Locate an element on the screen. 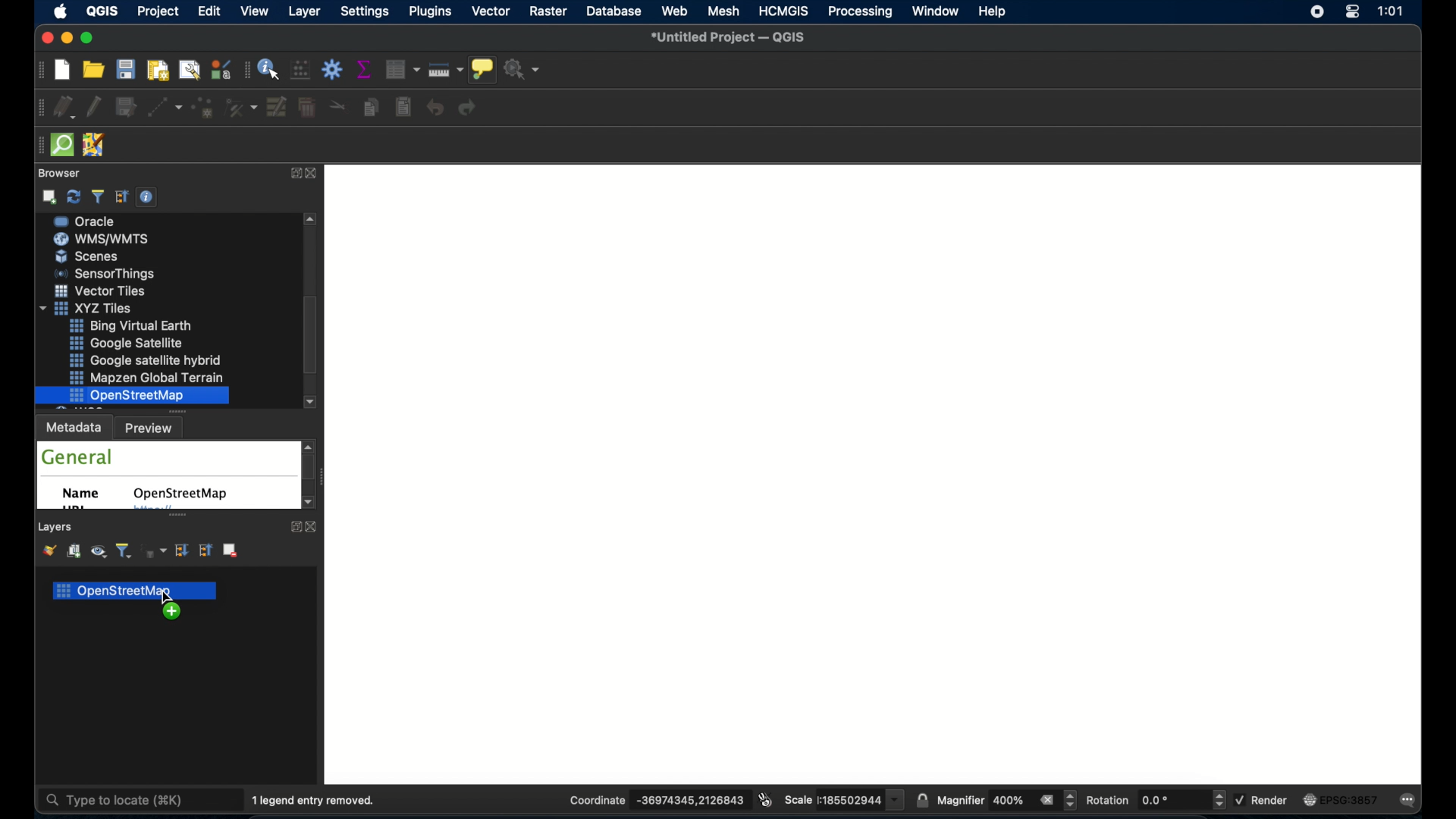  postgre sql is located at coordinates (105, 221).